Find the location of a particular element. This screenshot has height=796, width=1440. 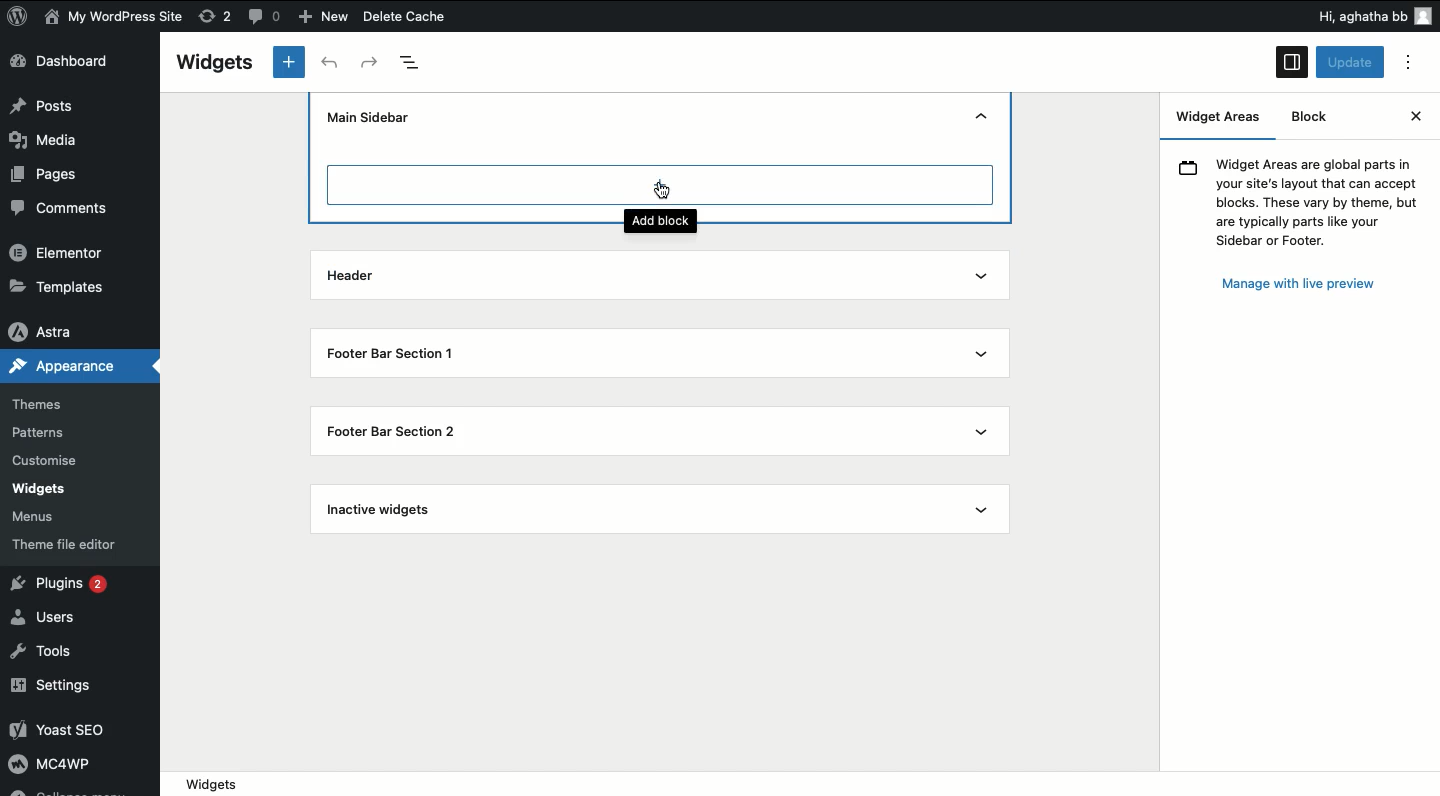

Users is located at coordinates (58, 622).